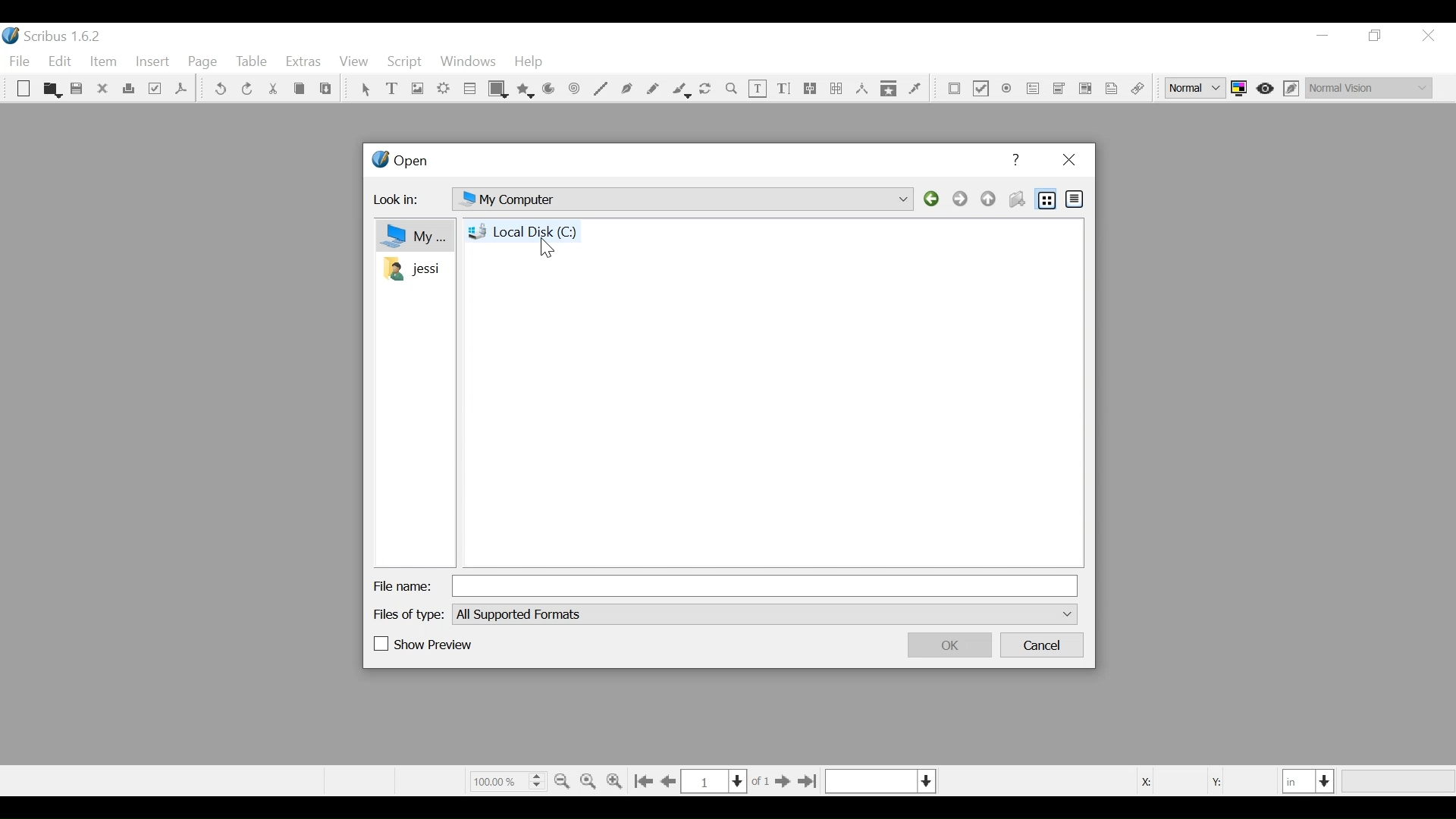 The image size is (1456, 819). Describe the element at coordinates (548, 248) in the screenshot. I see `Cursor` at that location.